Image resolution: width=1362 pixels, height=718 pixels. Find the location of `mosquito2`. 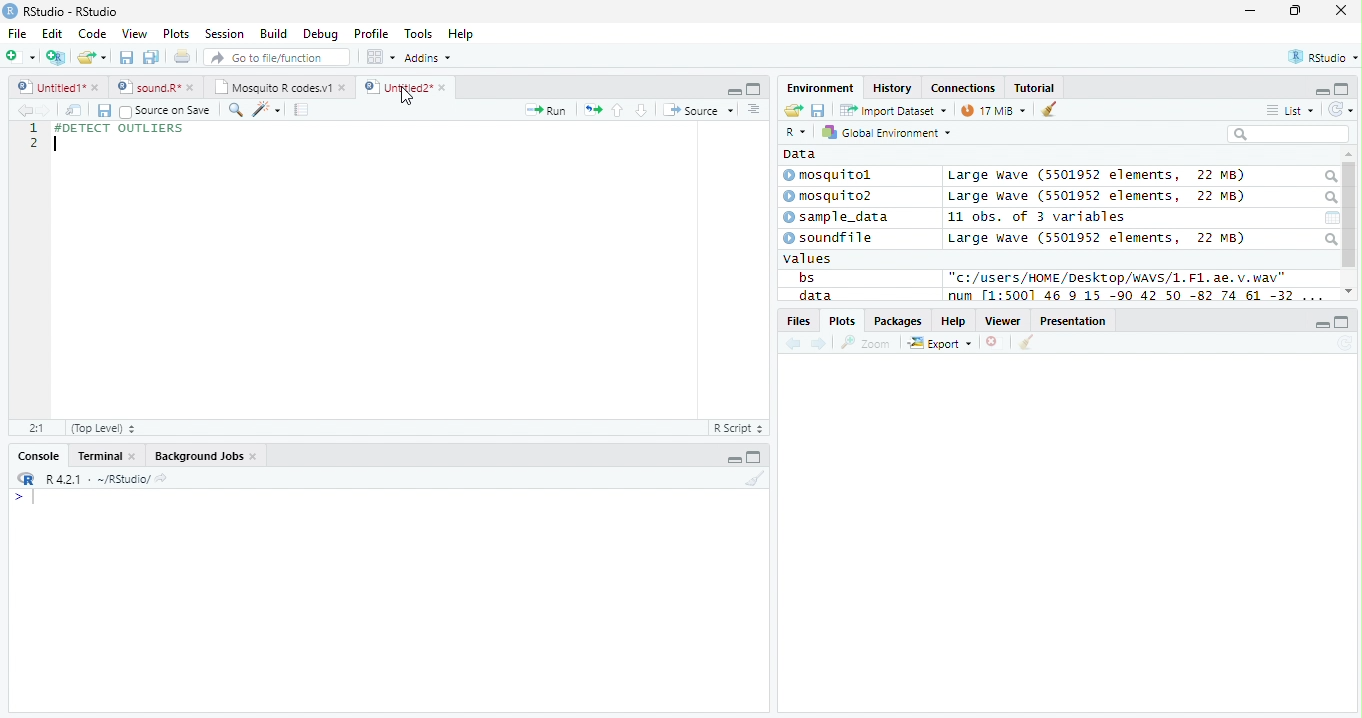

mosquito2 is located at coordinates (832, 196).